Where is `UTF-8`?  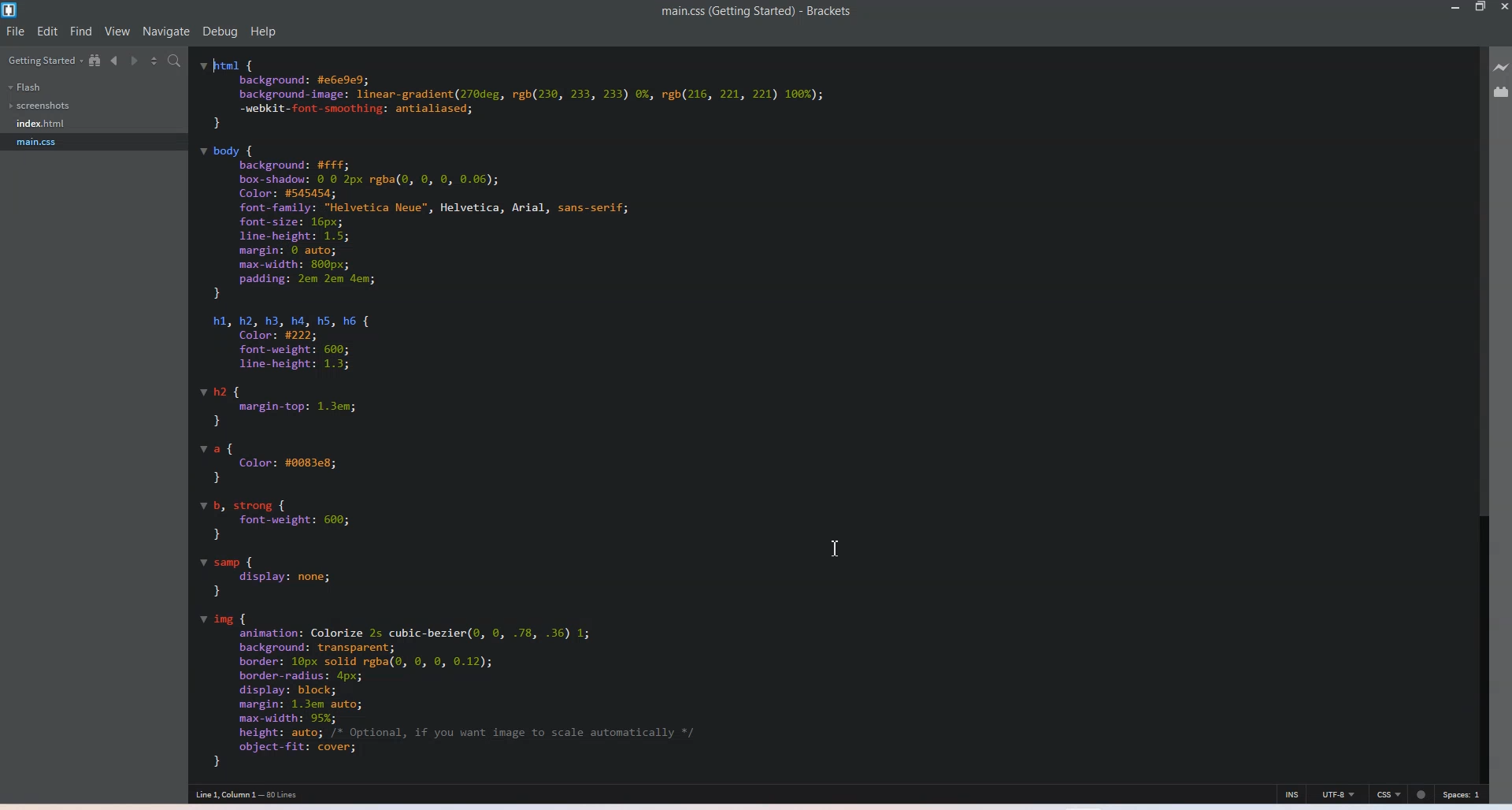 UTF-8 is located at coordinates (1339, 793).